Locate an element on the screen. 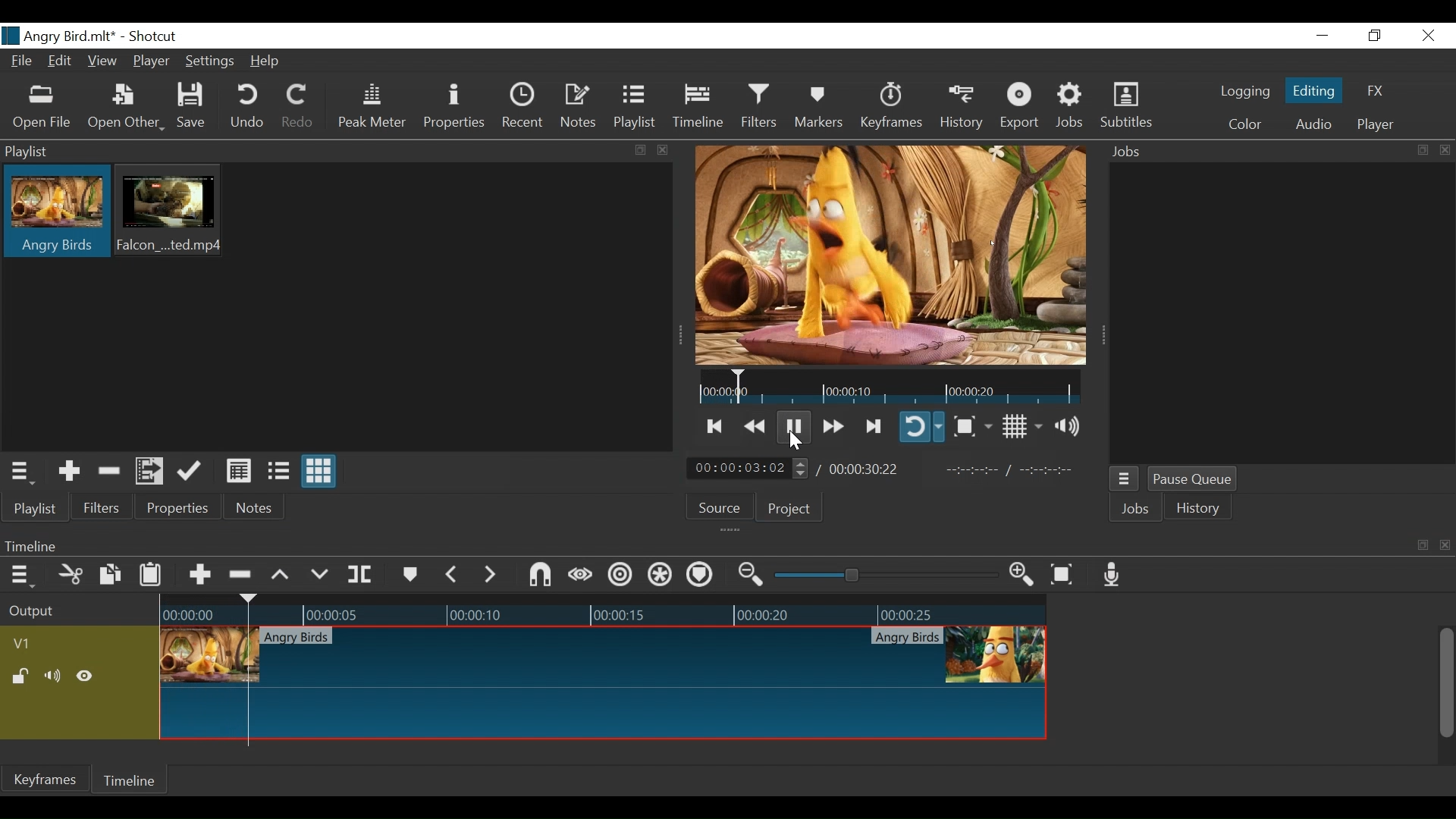  Editing is located at coordinates (1314, 93).